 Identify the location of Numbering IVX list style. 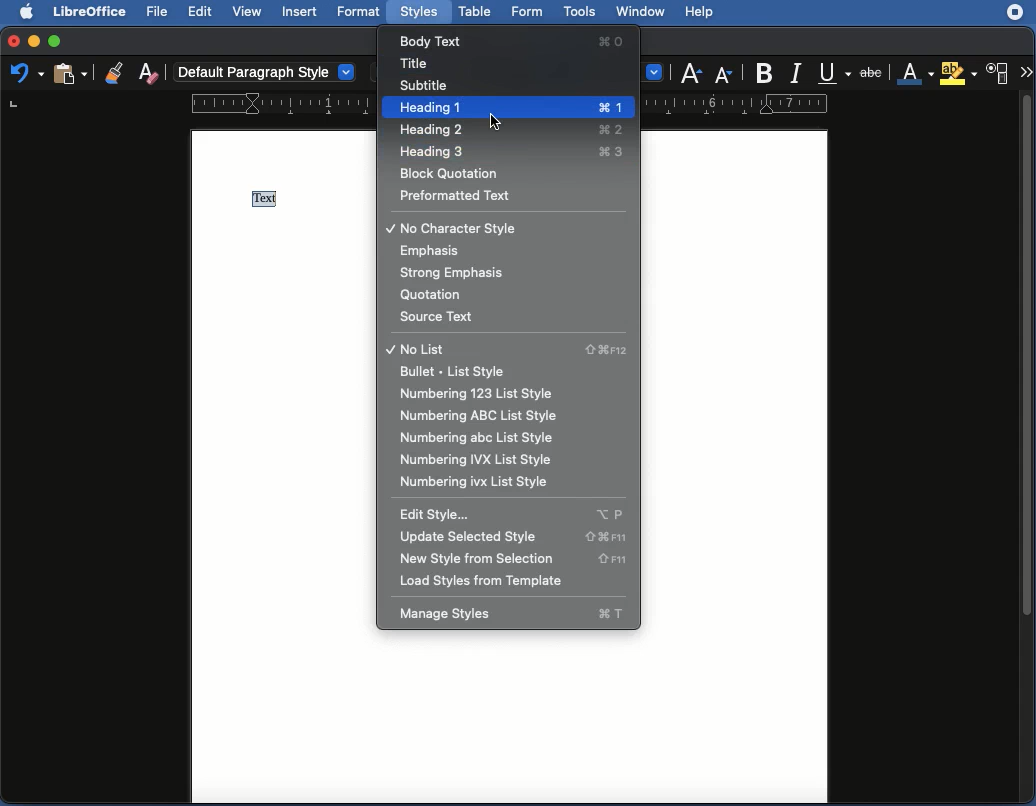
(482, 483).